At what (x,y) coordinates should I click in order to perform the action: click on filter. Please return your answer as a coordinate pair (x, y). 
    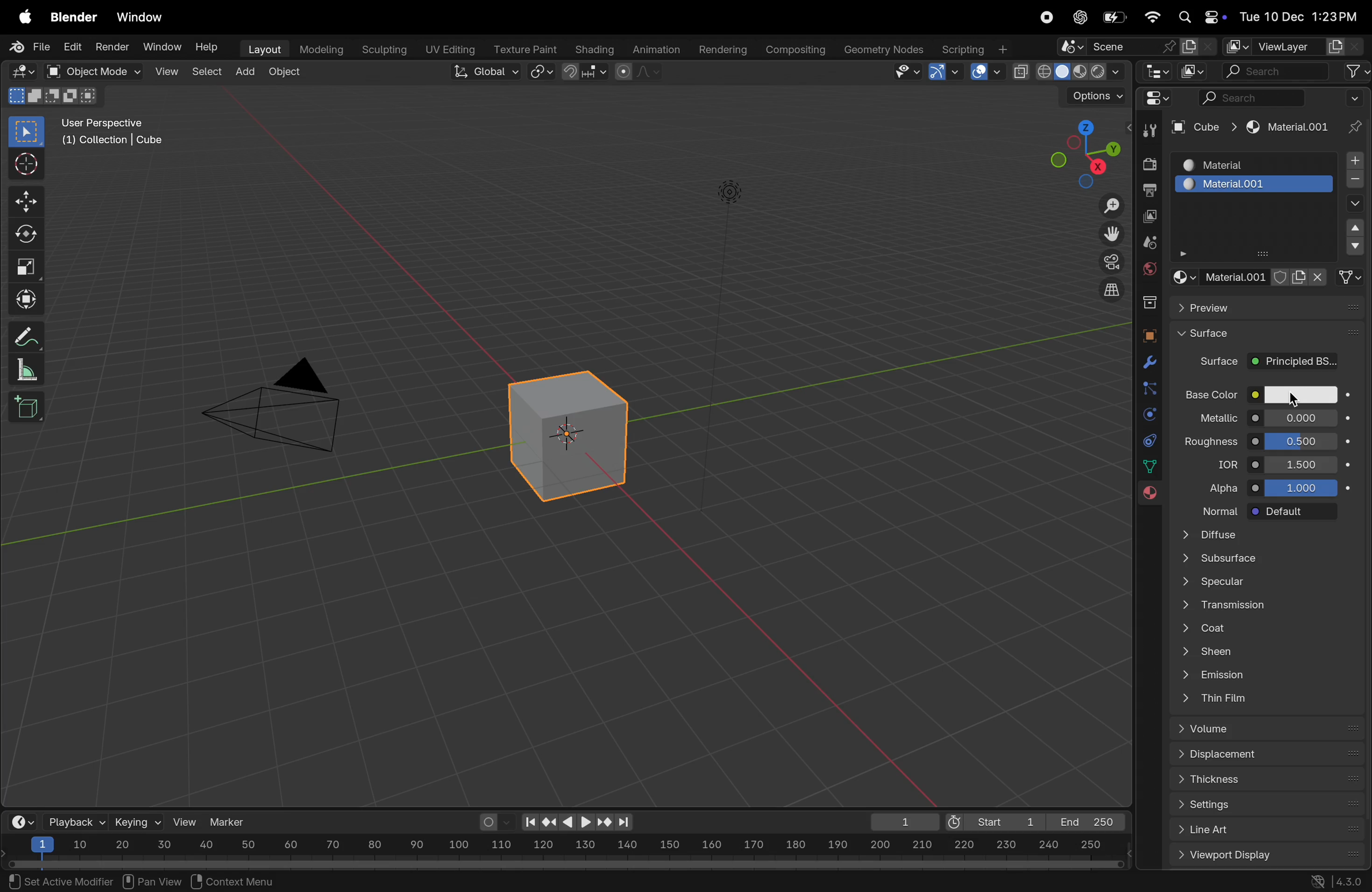
    Looking at the image, I should click on (1356, 71).